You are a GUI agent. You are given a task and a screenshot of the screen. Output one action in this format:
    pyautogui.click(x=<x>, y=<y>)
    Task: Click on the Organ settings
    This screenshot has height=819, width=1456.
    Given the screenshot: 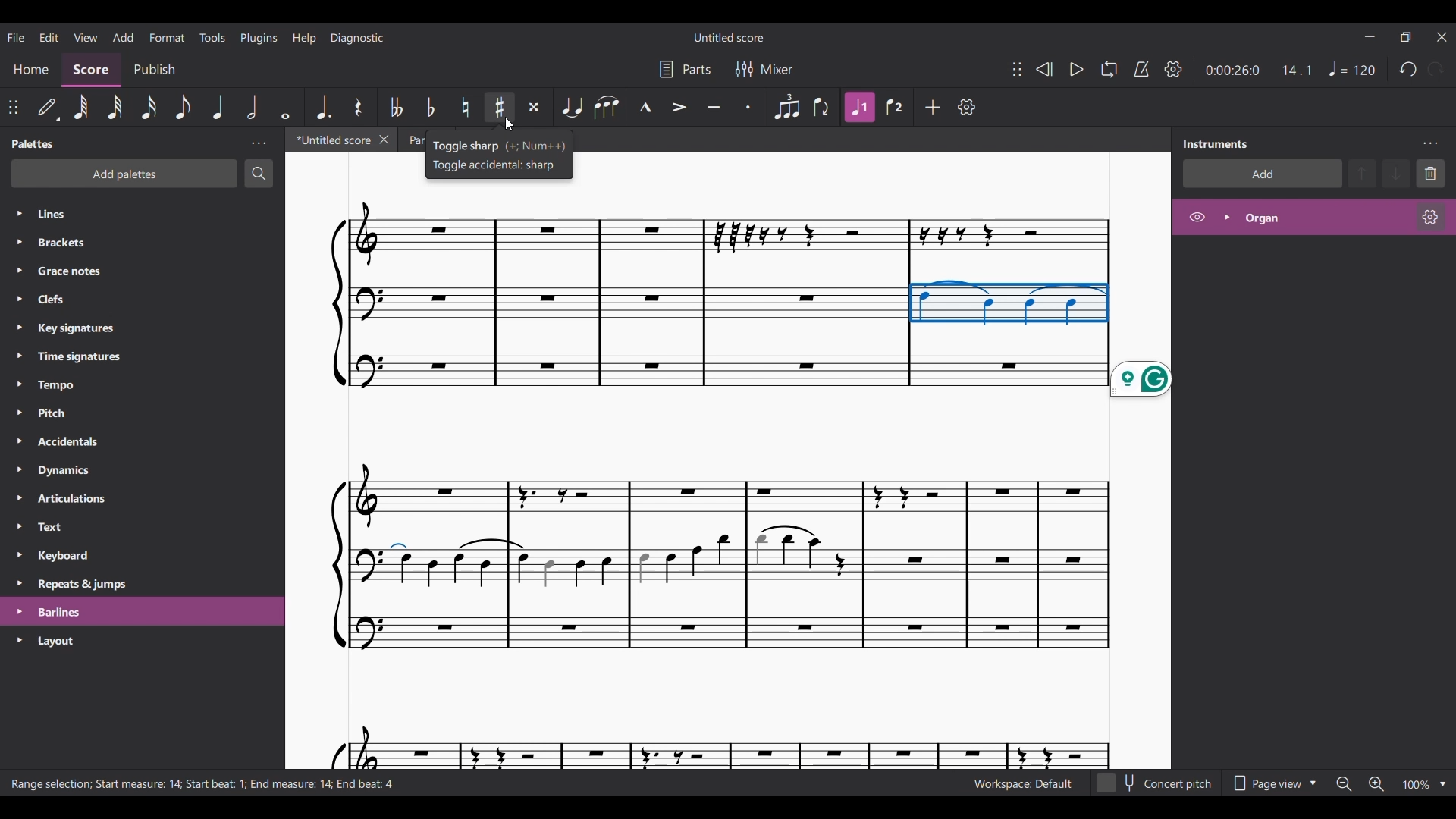 What is the action you would take?
    pyautogui.click(x=1430, y=217)
    